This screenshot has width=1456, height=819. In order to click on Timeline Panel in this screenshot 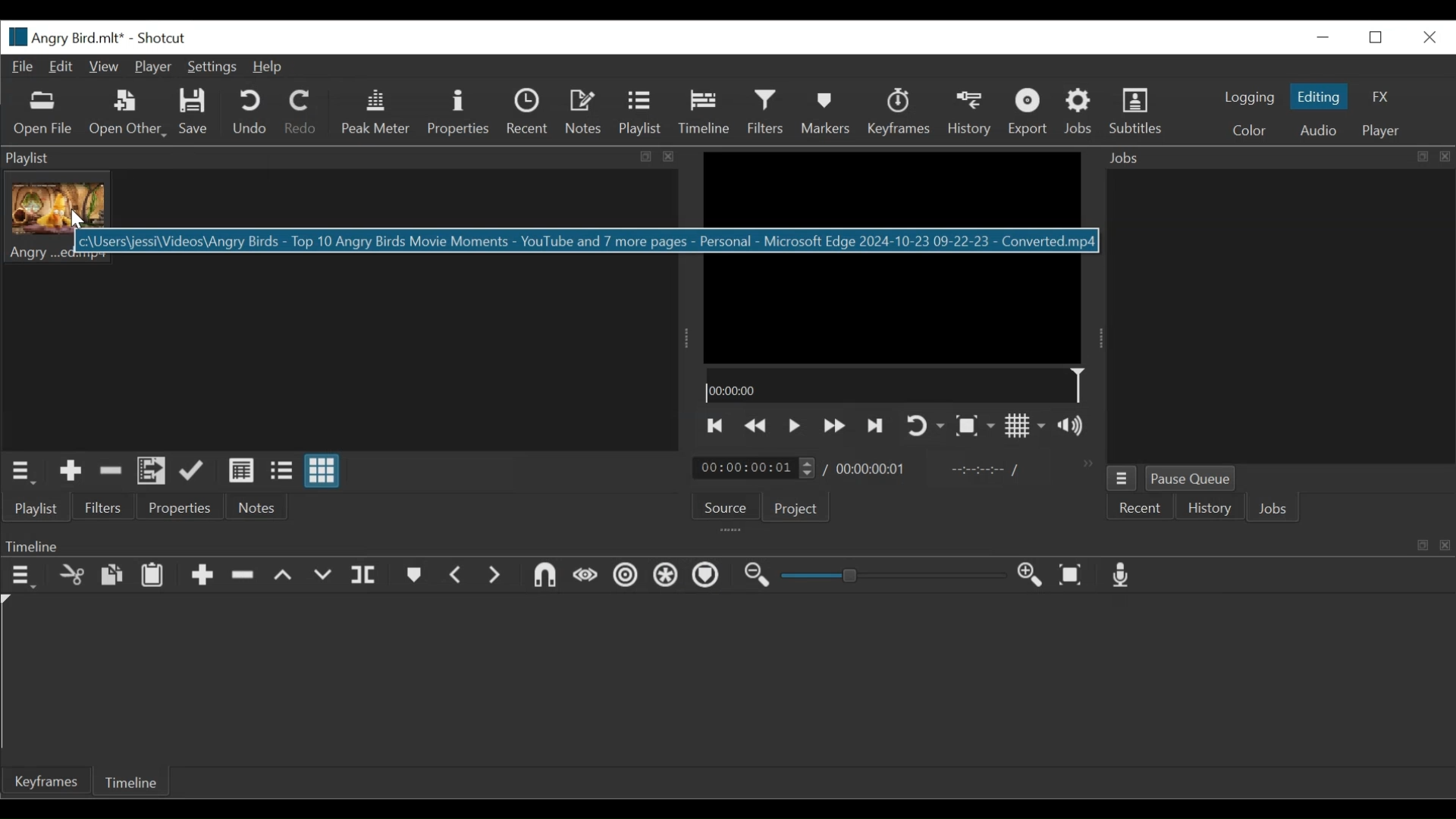, I will do `click(729, 544)`.